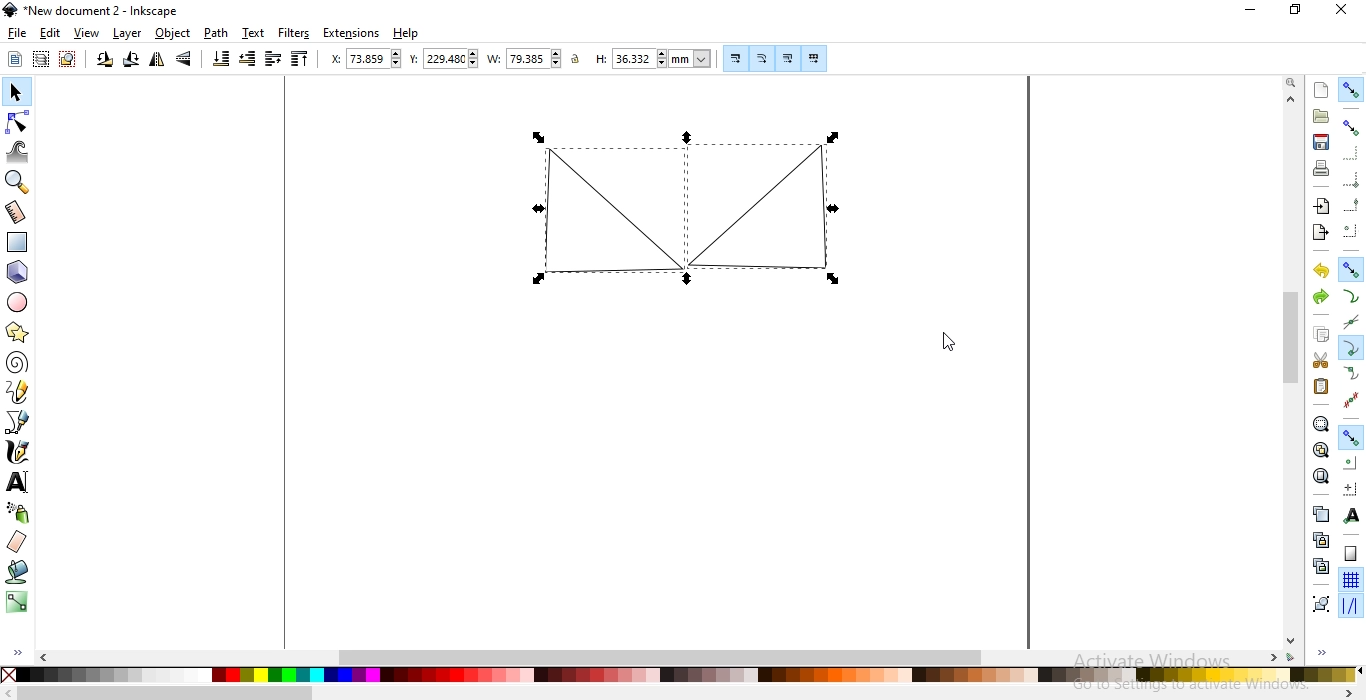 Image resolution: width=1366 pixels, height=700 pixels. What do you see at coordinates (215, 34) in the screenshot?
I see `path` at bounding box center [215, 34].